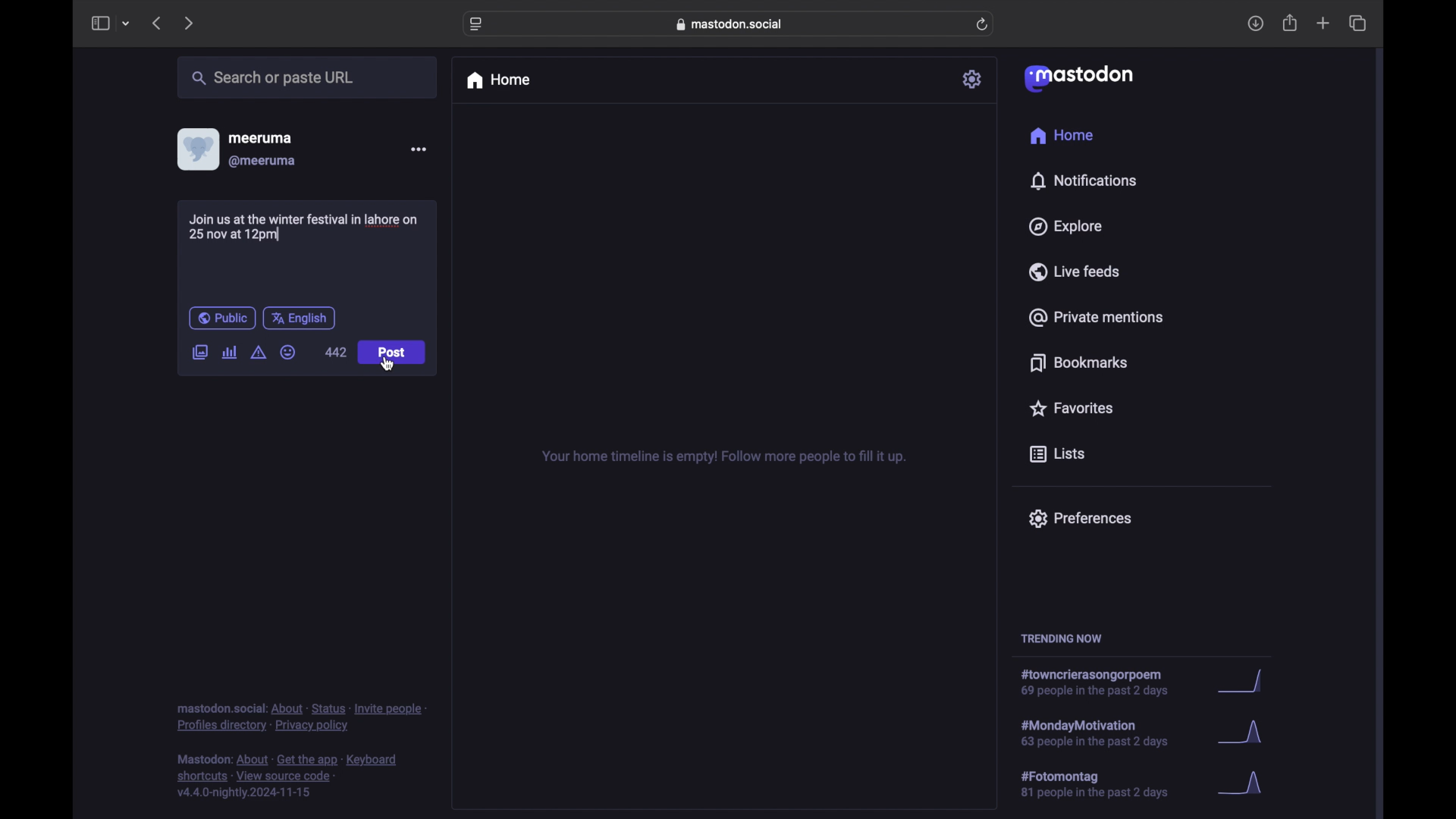  Describe the element at coordinates (1070, 408) in the screenshot. I see `favorites` at that location.